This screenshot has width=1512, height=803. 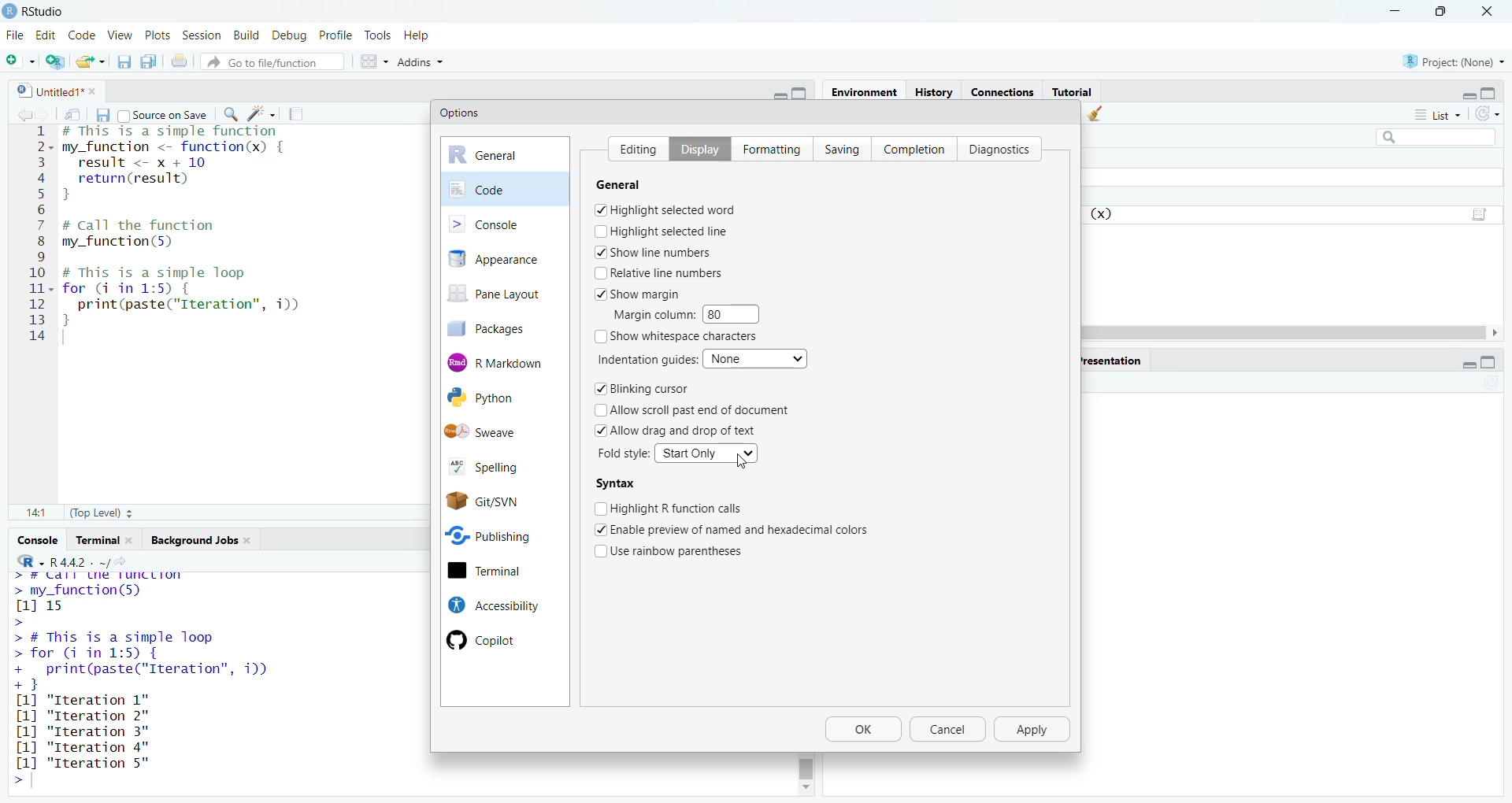 I want to click on Options, so click(x=461, y=113).